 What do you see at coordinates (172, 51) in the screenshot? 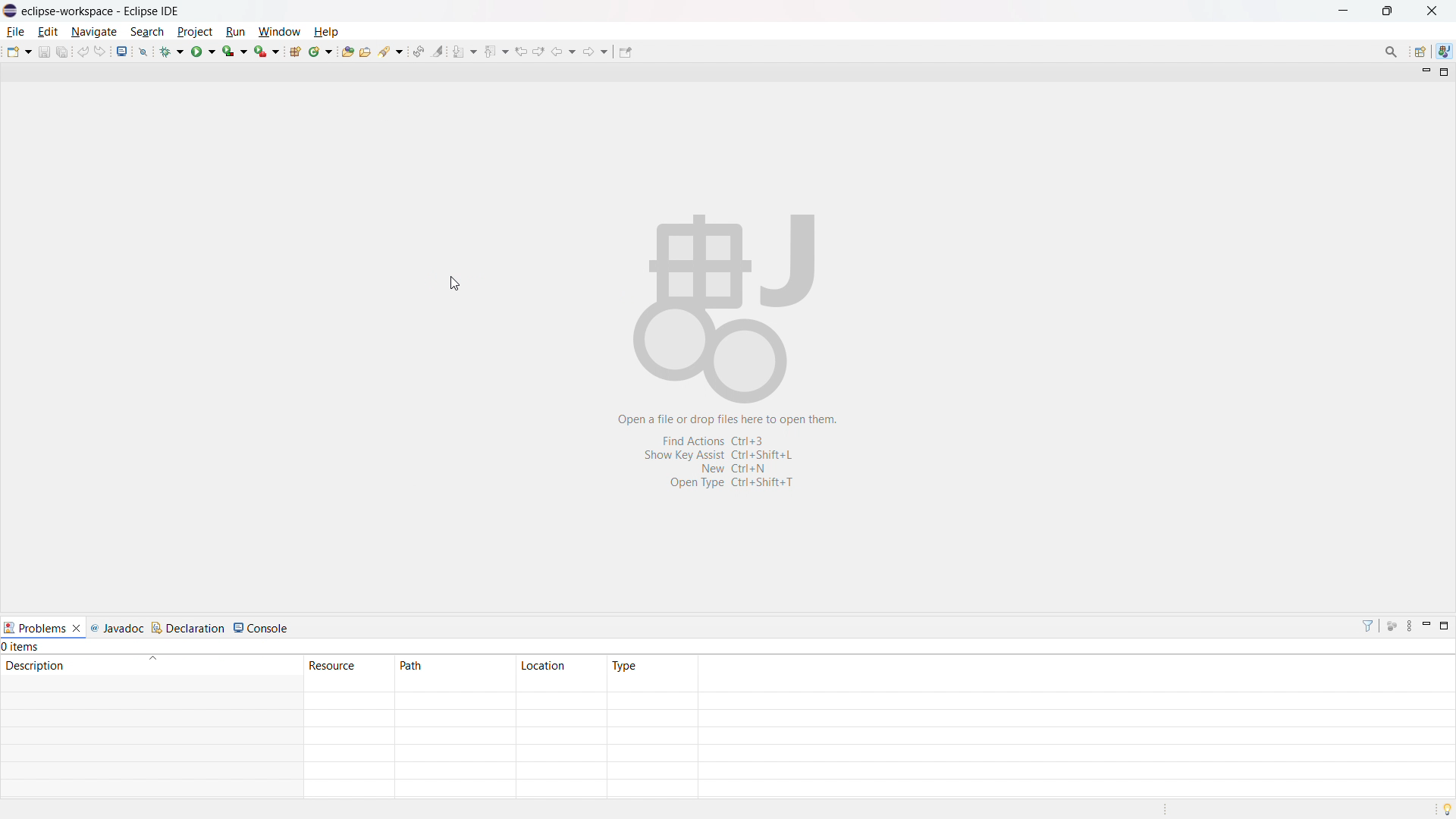
I see `debug` at bounding box center [172, 51].